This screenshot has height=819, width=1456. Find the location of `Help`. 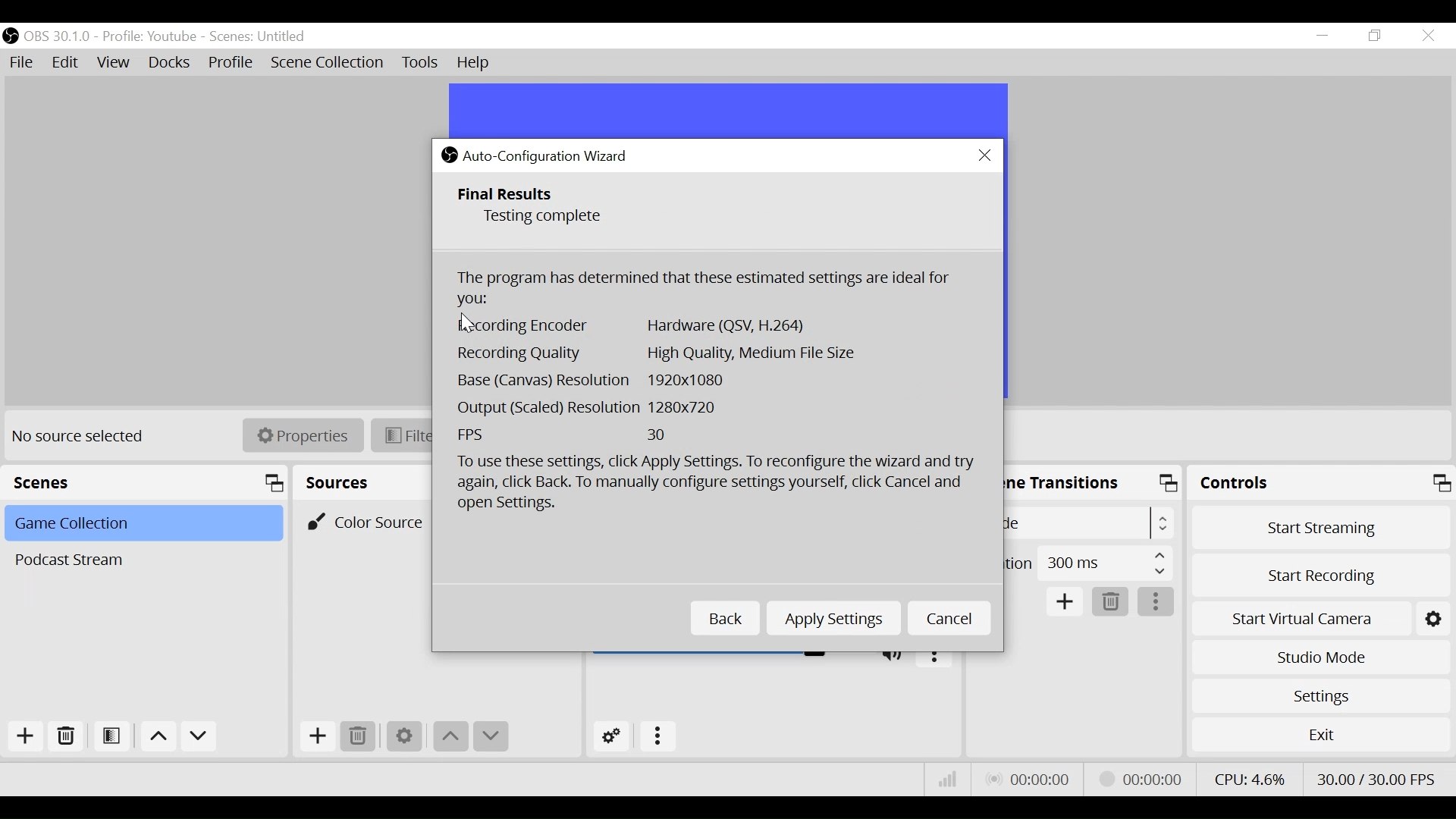

Help is located at coordinates (477, 63).